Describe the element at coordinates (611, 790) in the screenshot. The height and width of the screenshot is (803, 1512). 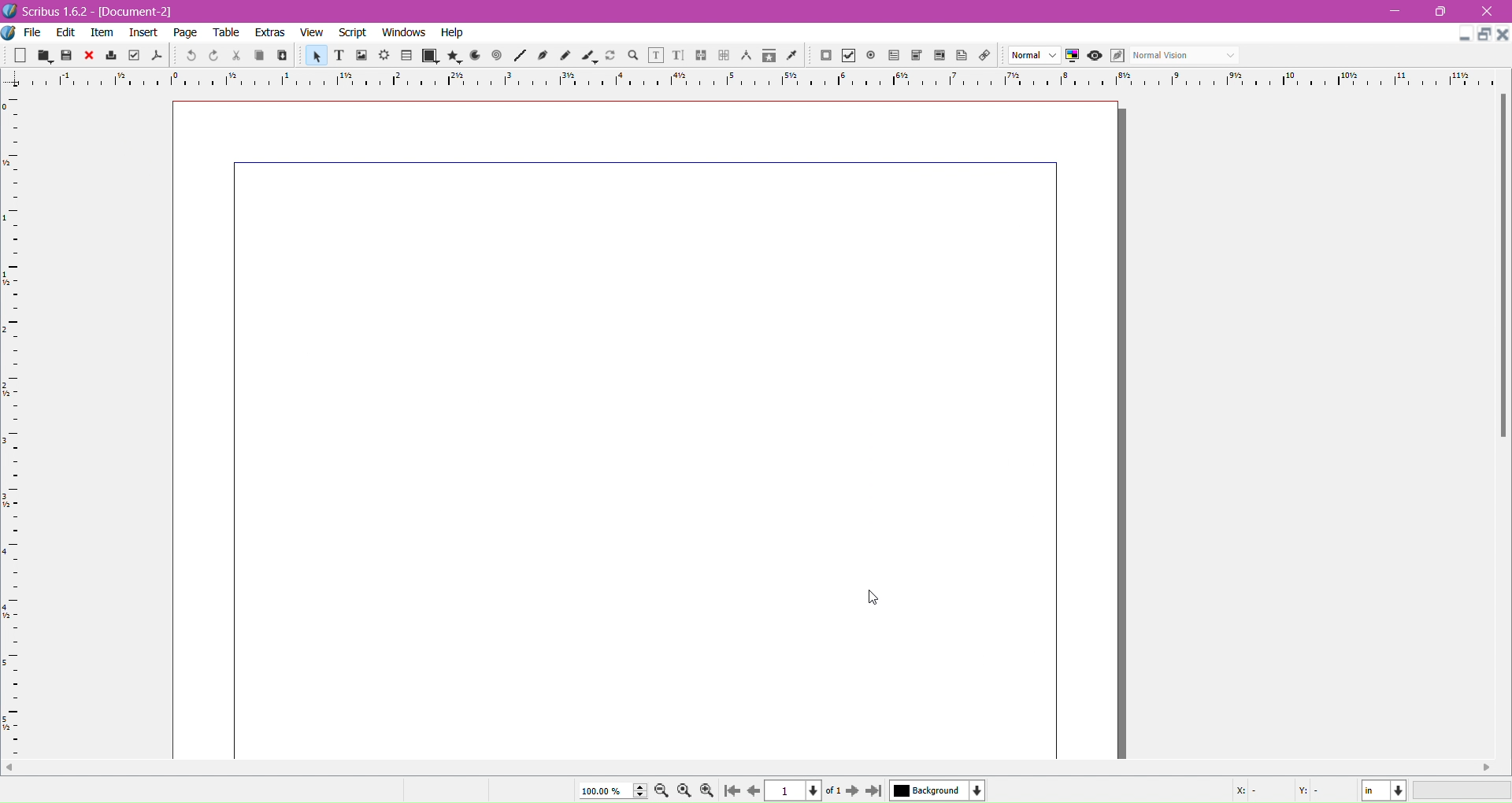
I see `zoom size` at that location.